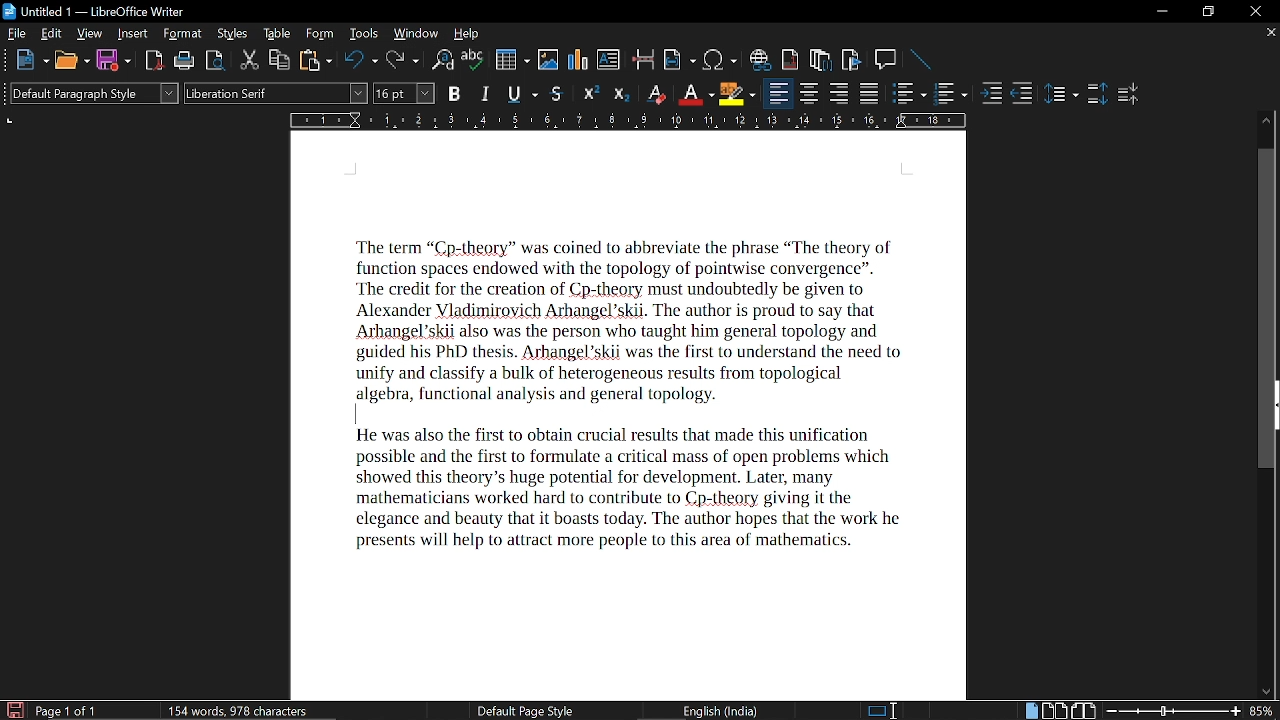  I want to click on insert page brake, so click(644, 61).